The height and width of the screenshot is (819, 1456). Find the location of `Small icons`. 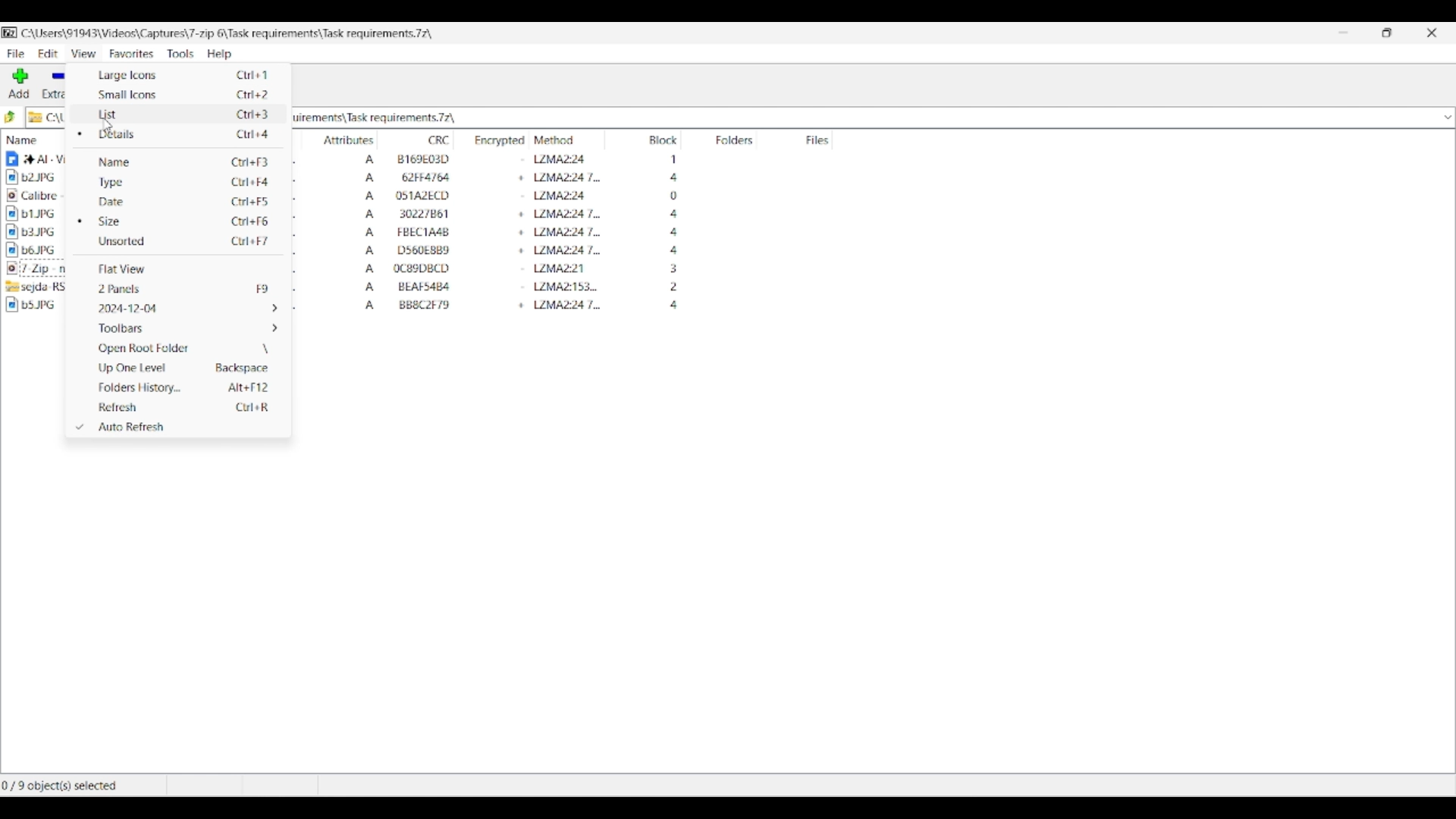

Small icons is located at coordinates (174, 94).